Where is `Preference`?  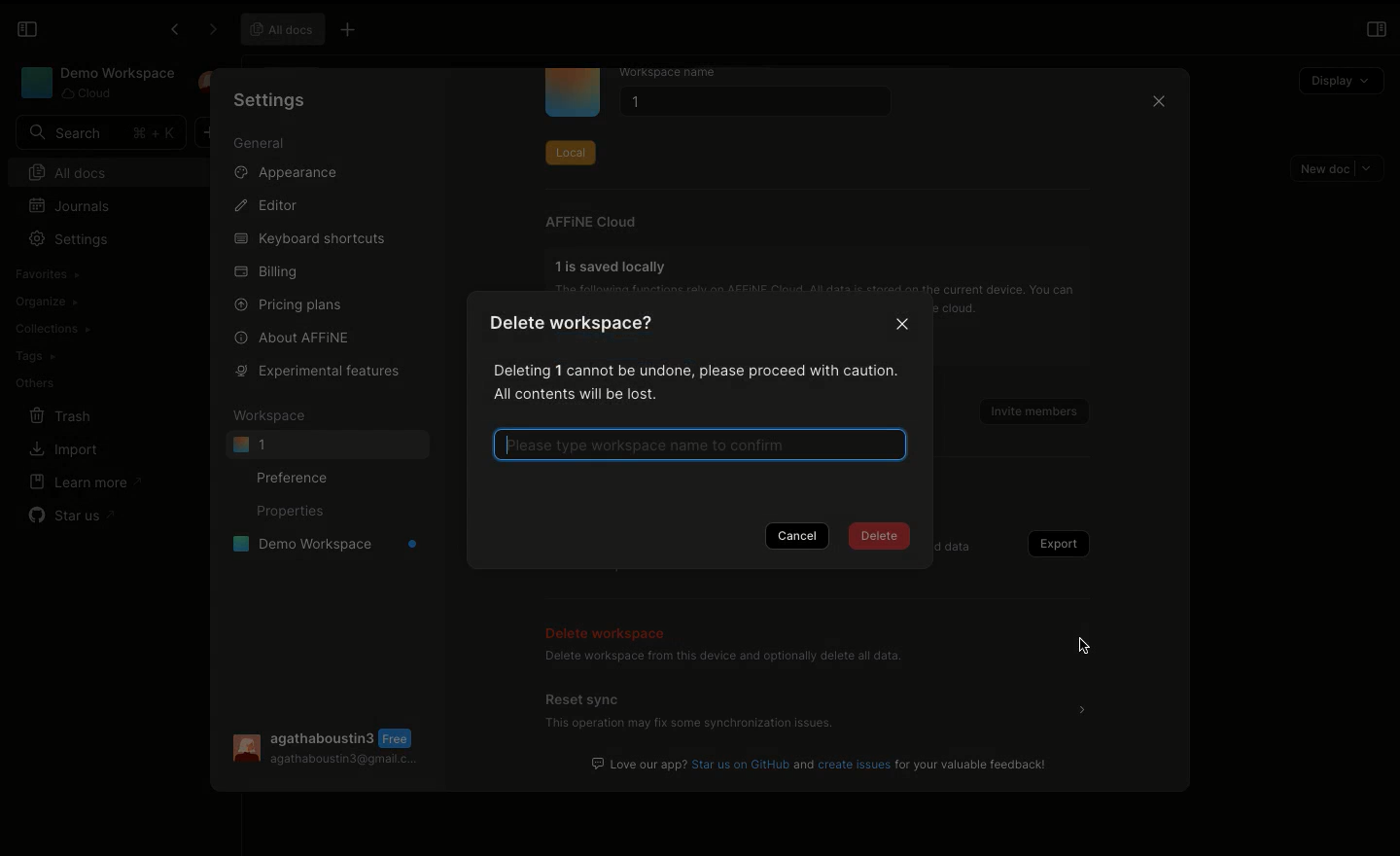
Preference is located at coordinates (297, 477).